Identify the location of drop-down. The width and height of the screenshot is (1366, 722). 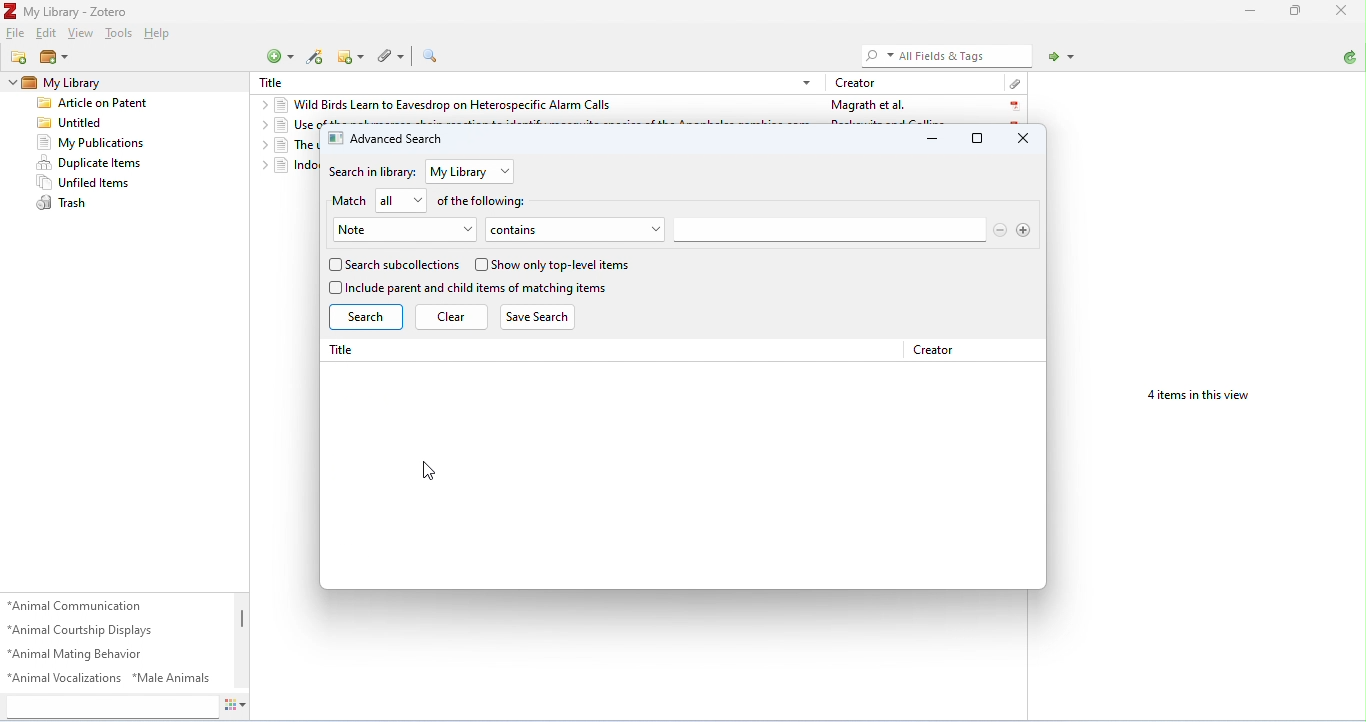
(504, 172).